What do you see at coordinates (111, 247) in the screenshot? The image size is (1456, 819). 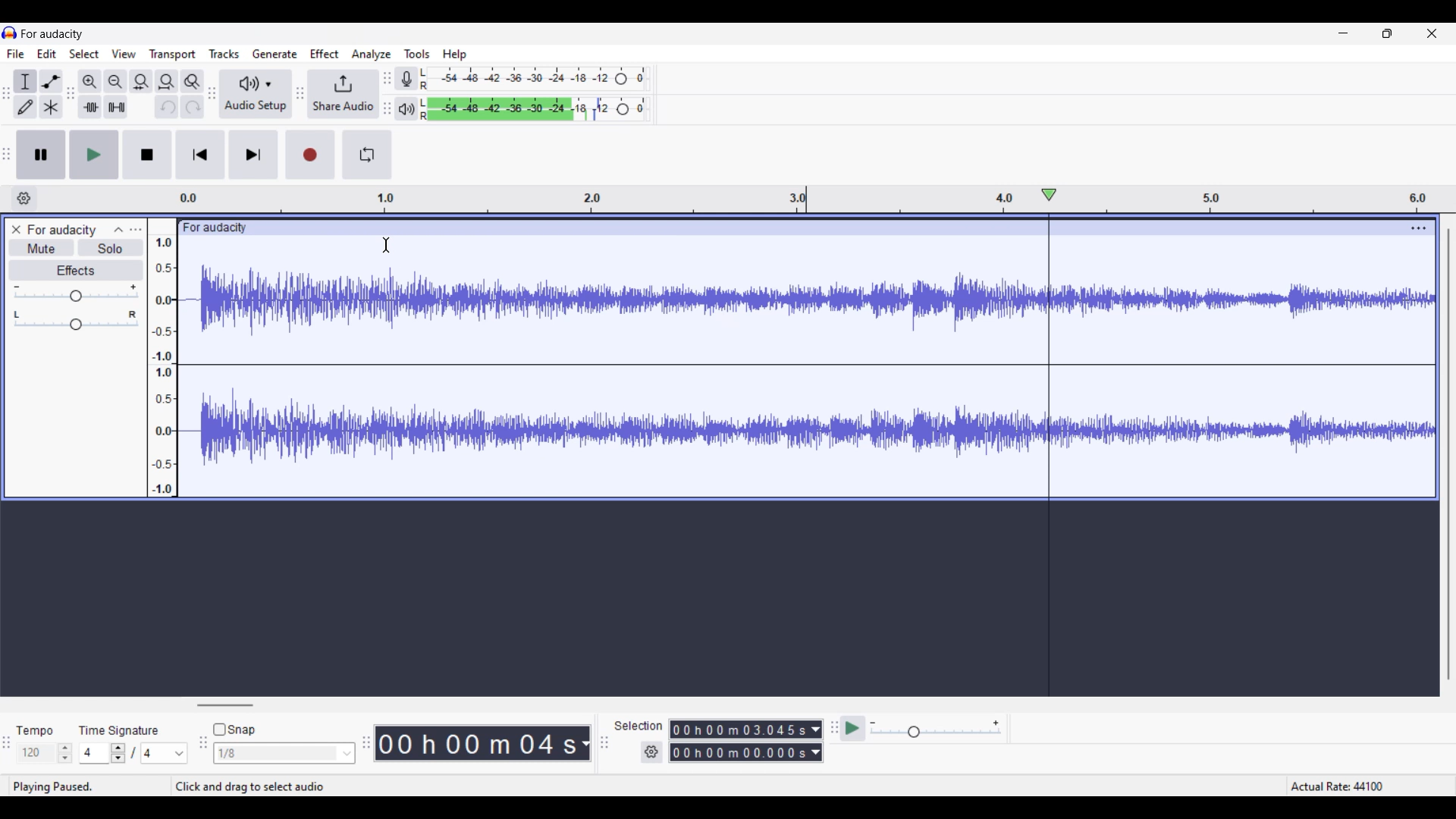 I see `Solo` at bounding box center [111, 247].